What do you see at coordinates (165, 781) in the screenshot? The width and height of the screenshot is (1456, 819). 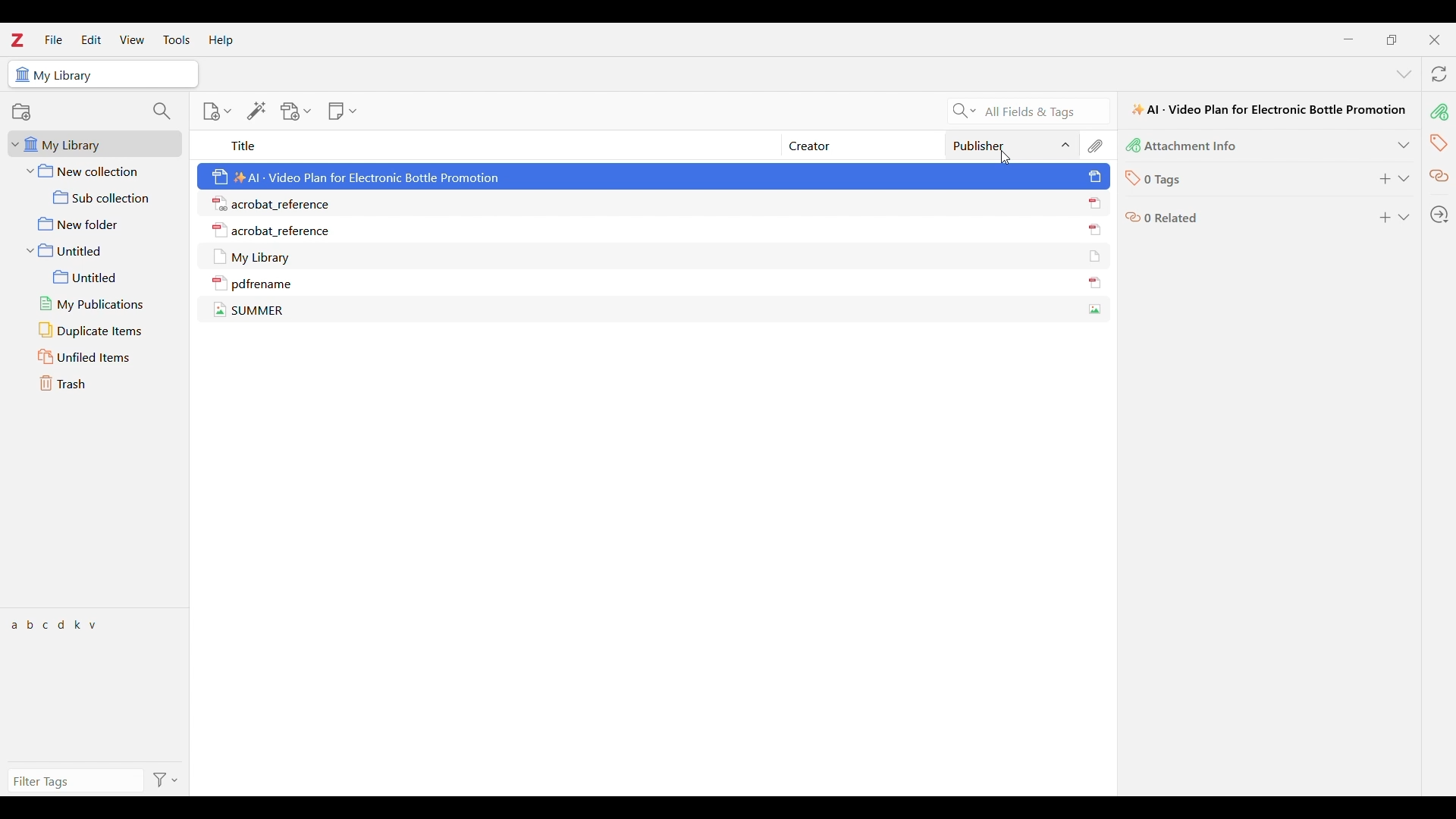 I see `Filter options` at bounding box center [165, 781].